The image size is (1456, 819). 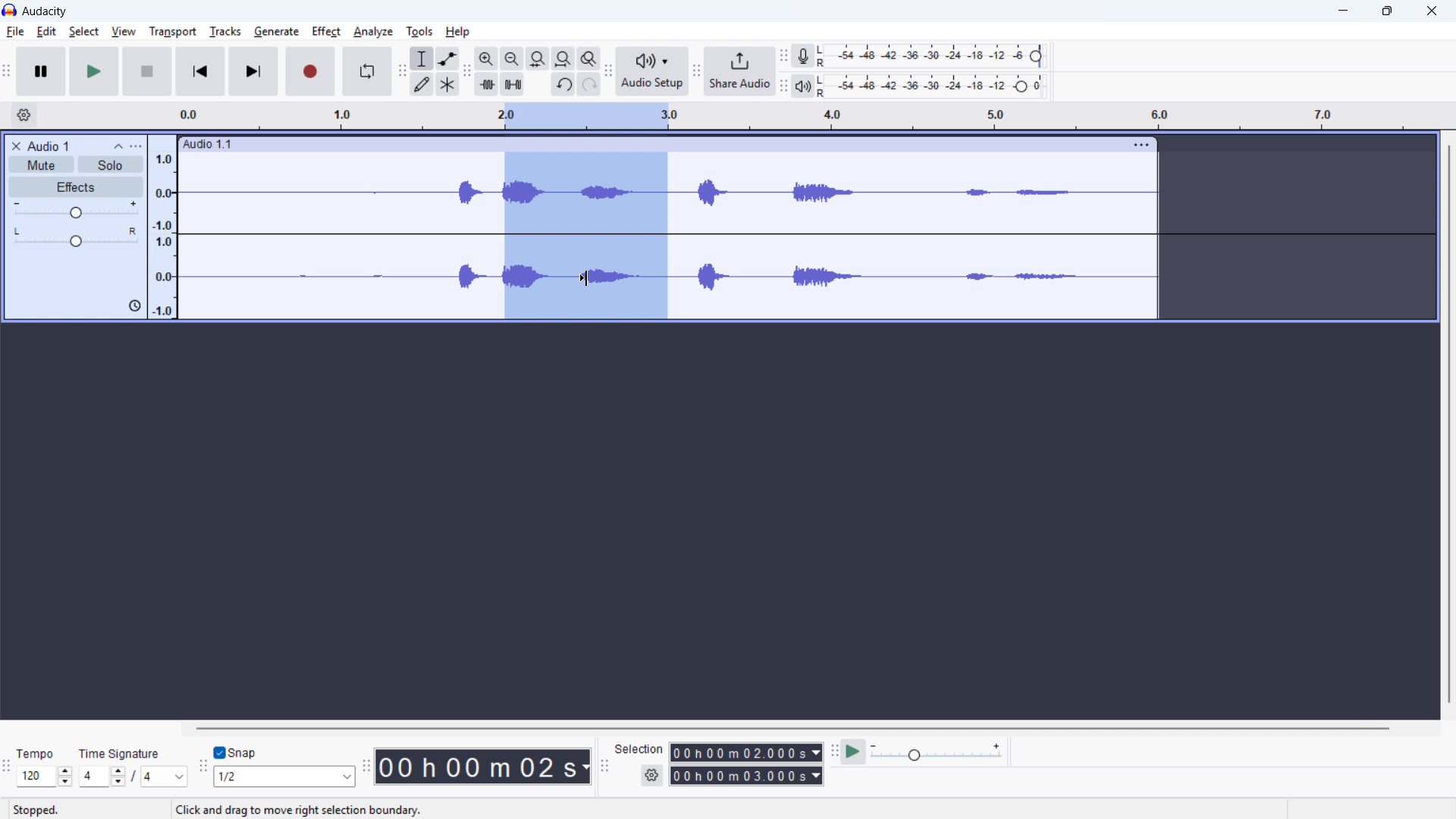 I want to click on Fit selection to width, so click(x=537, y=59).